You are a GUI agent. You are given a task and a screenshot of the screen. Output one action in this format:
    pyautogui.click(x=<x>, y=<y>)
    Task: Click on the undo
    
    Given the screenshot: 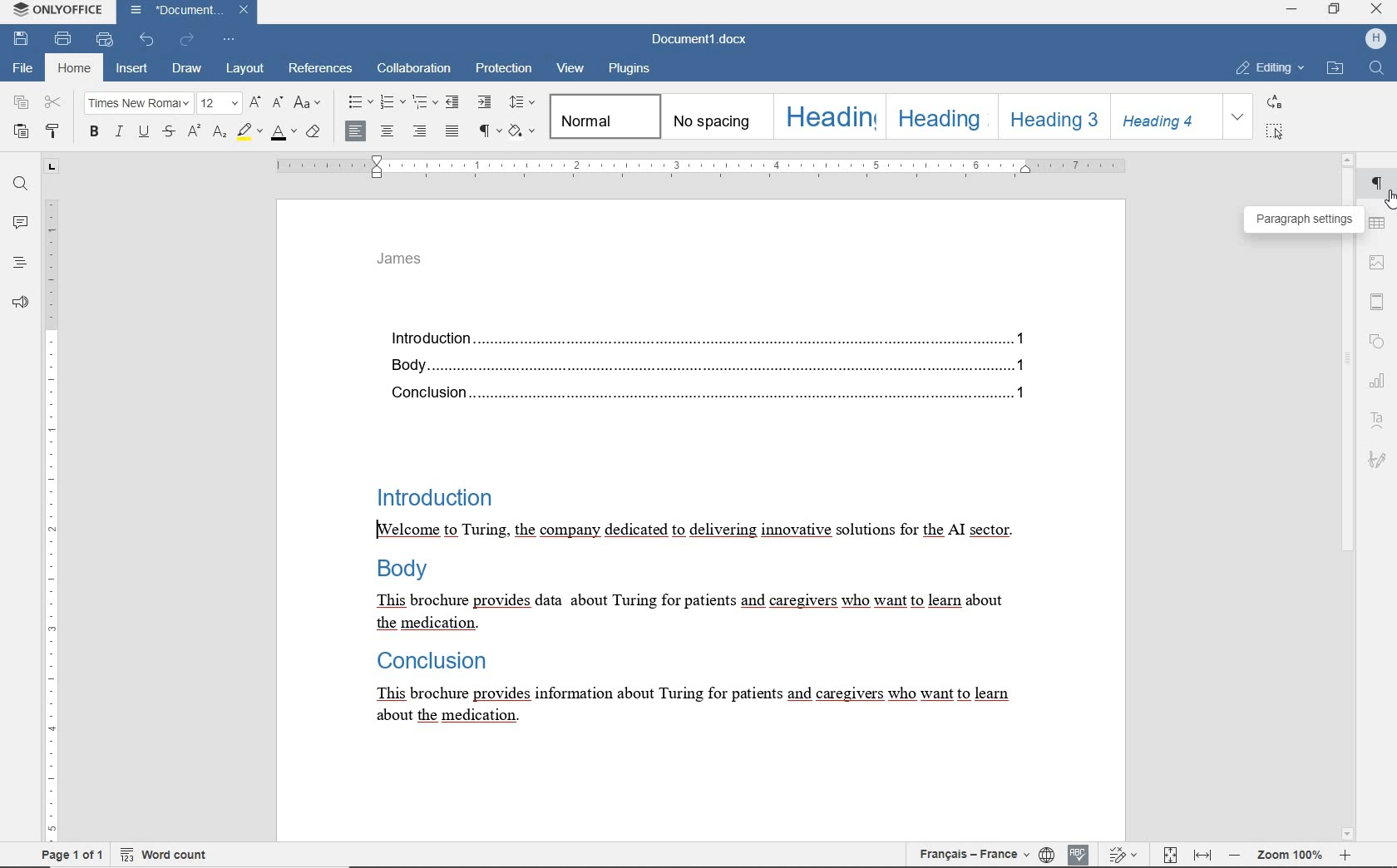 What is the action you would take?
    pyautogui.click(x=144, y=40)
    